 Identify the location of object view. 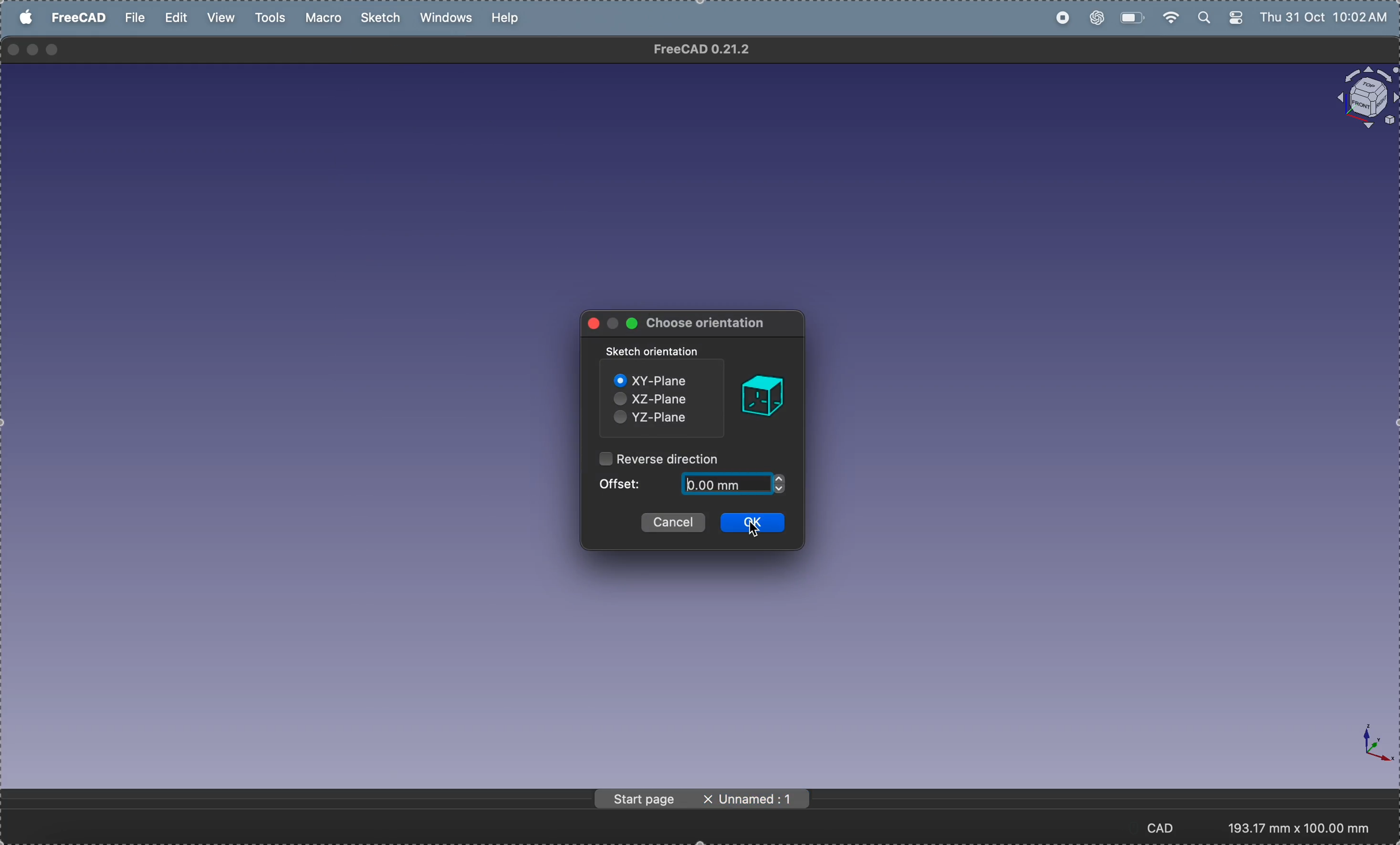
(1365, 98).